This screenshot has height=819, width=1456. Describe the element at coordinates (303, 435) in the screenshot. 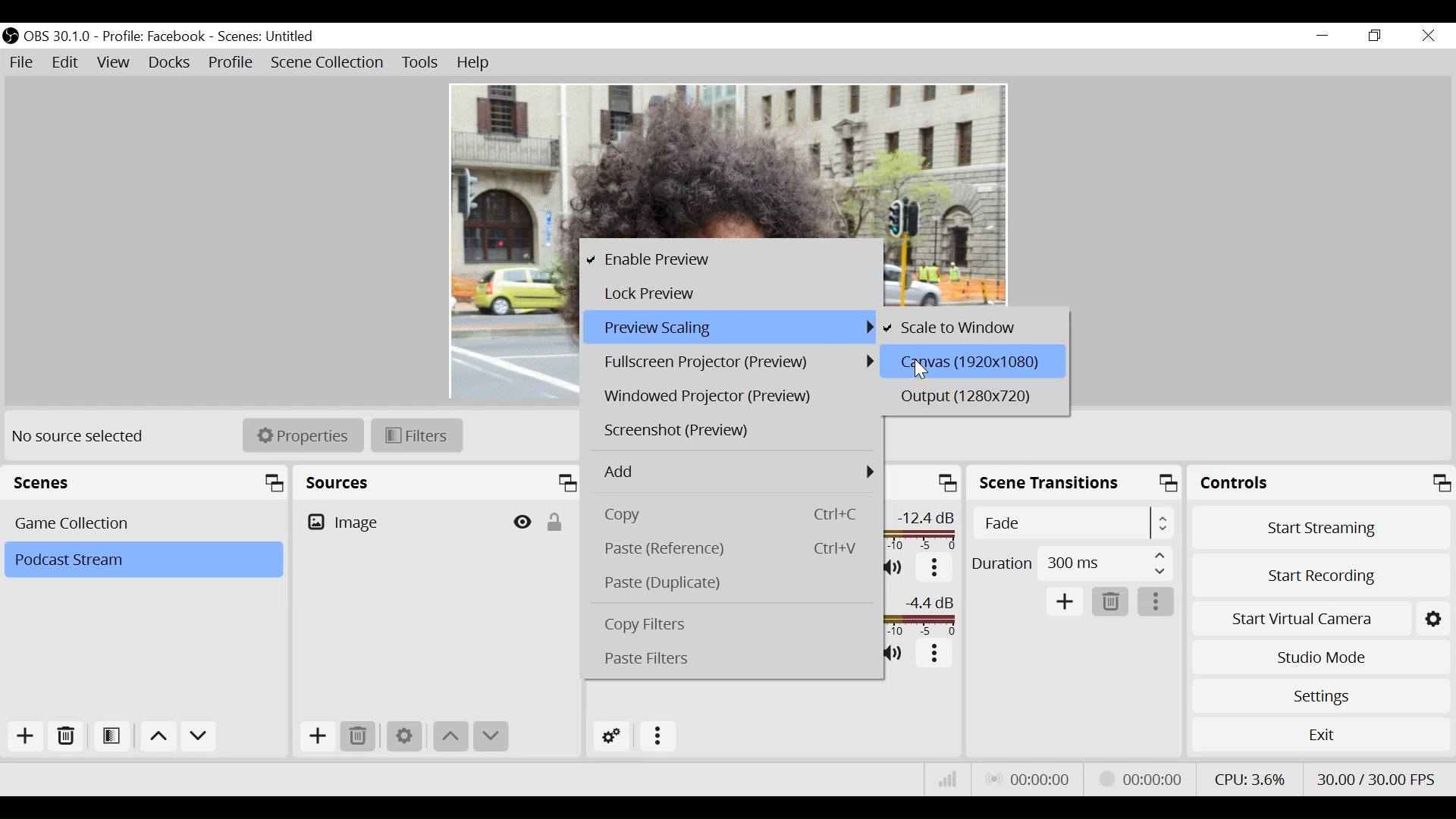

I see `Properties` at that location.